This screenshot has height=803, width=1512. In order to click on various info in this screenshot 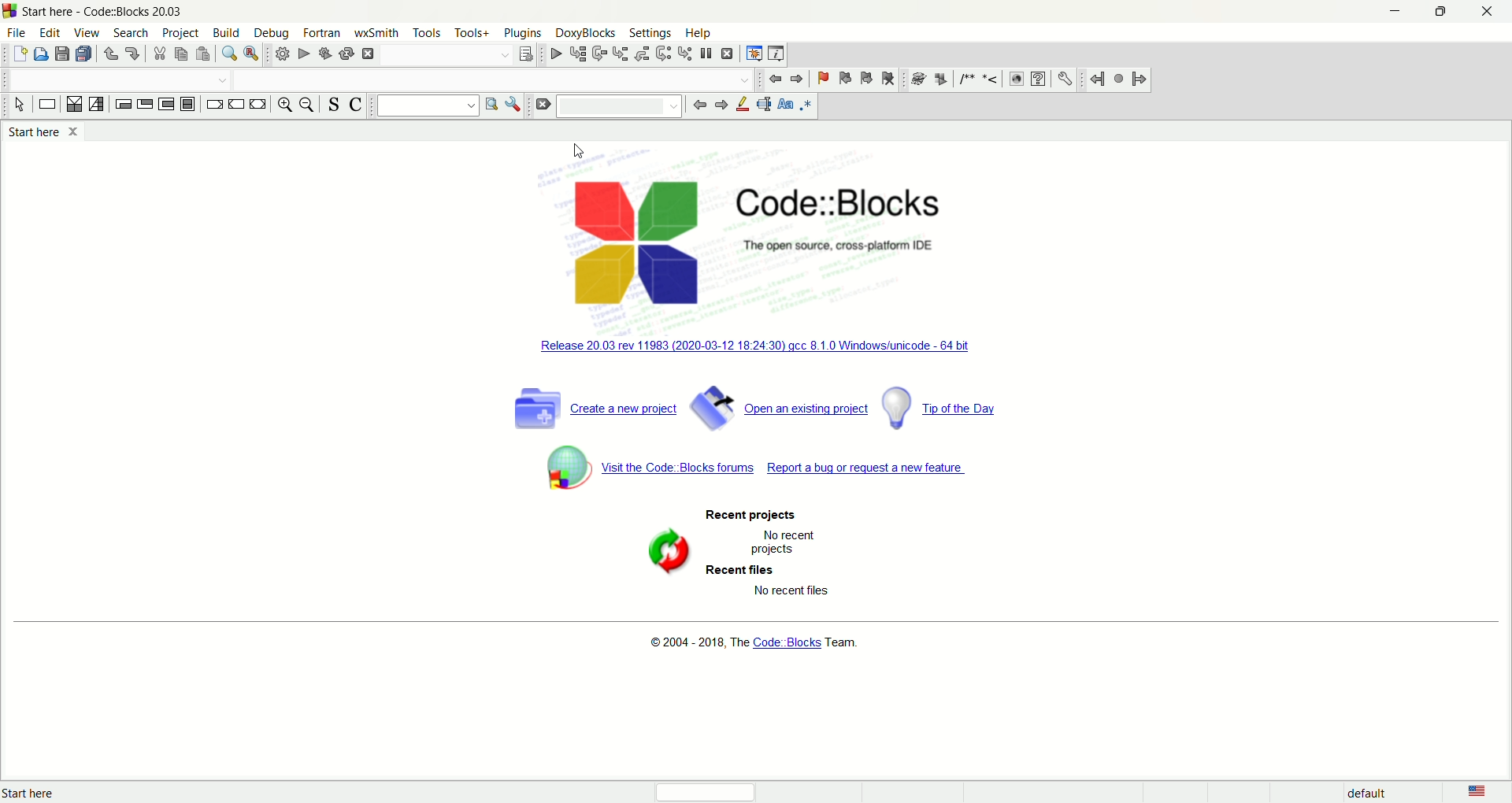, I will do `click(775, 54)`.